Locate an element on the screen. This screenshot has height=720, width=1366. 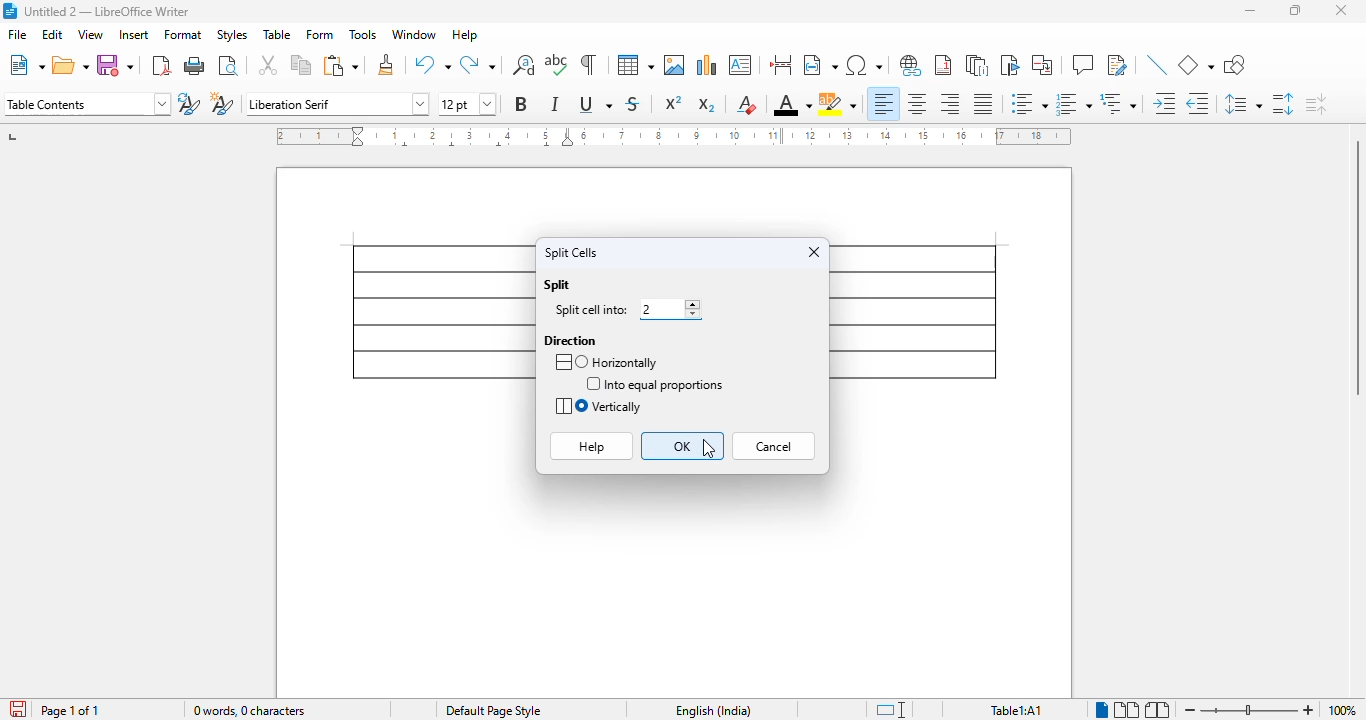
into equal proportions is located at coordinates (656, 384).